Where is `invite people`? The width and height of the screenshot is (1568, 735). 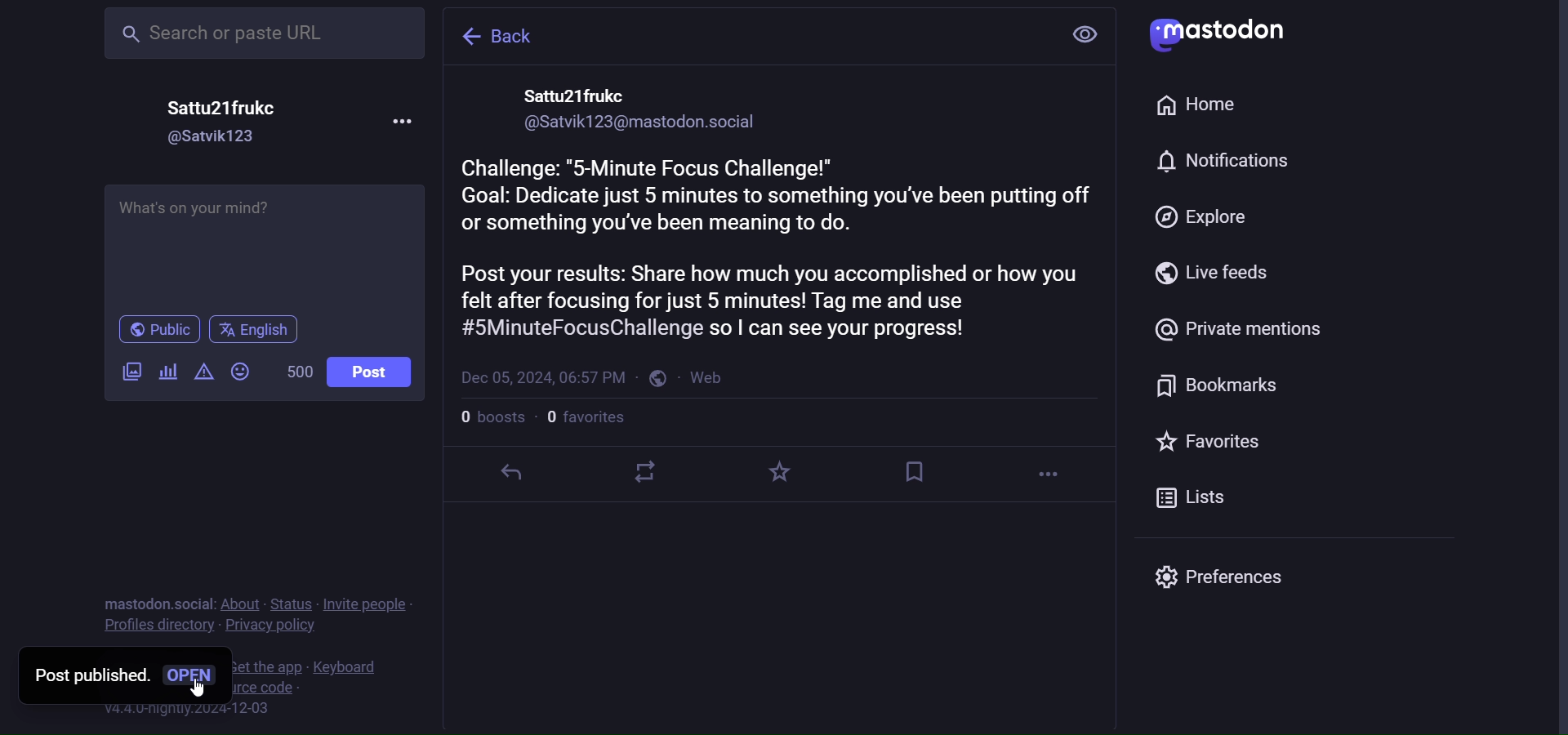
invite people is located at coordinates (371, 604).